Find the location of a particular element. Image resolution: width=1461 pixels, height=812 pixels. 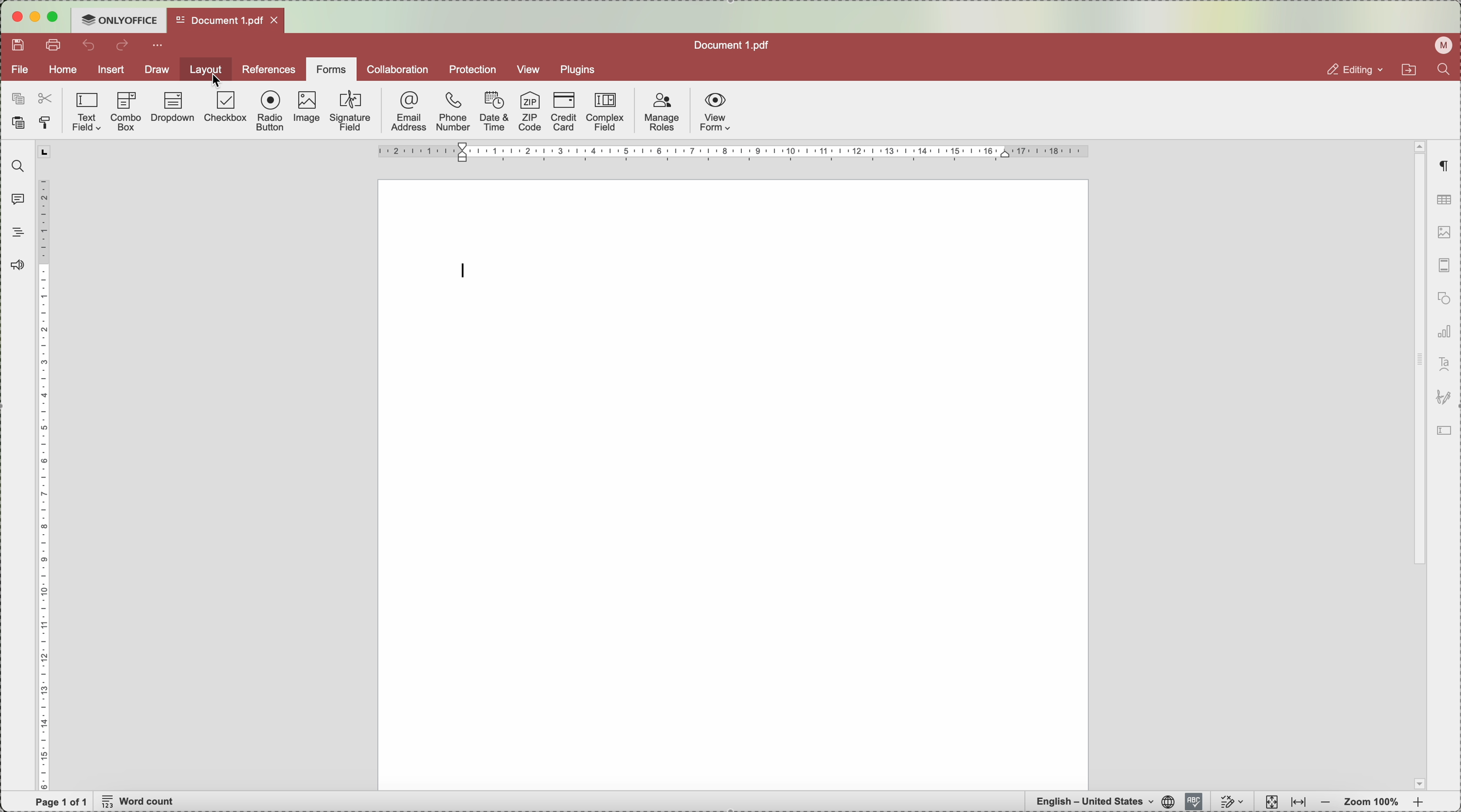

editing is located at coordinates (1344, 69).